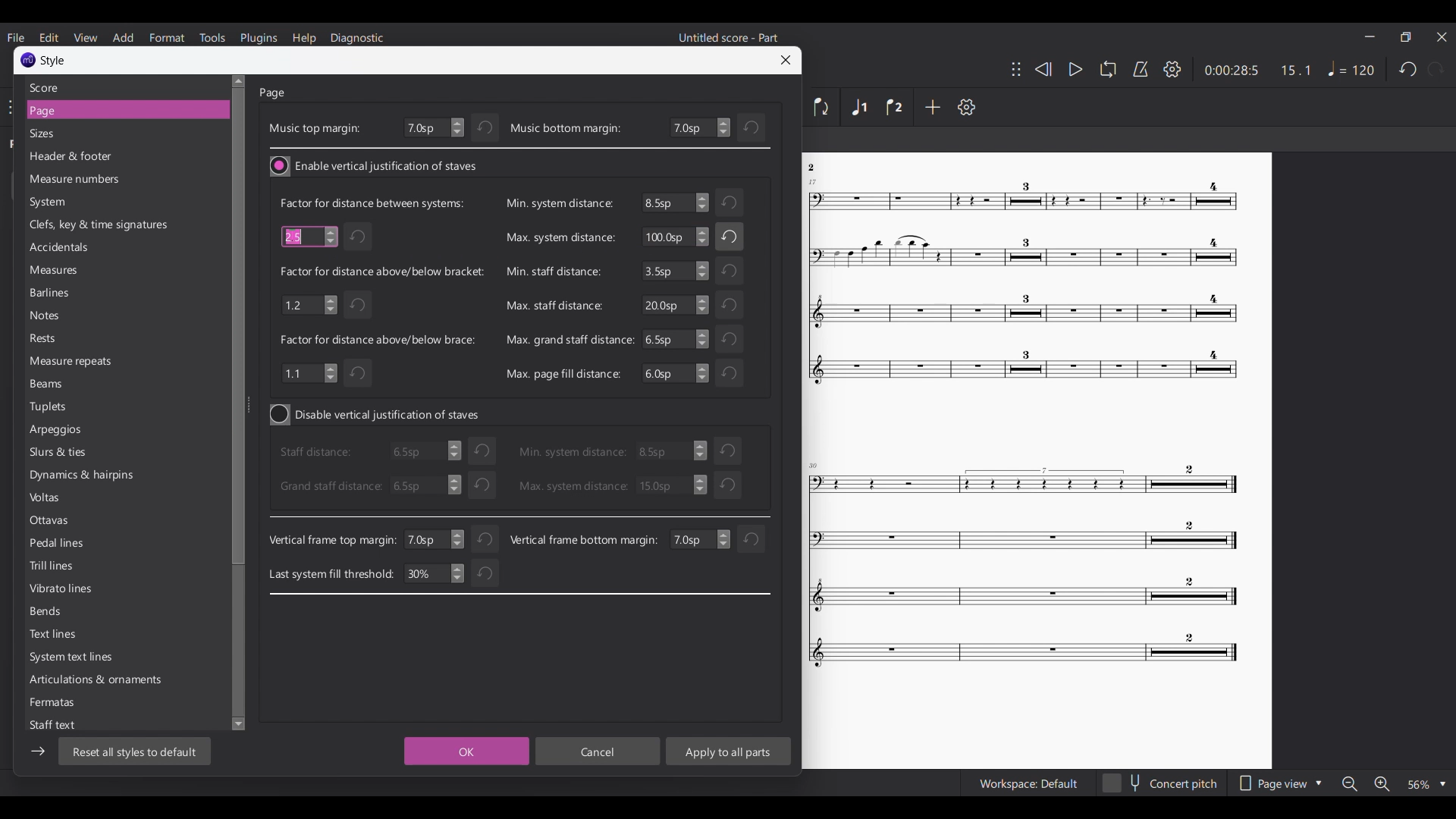  I want to click on format, so click(168, 37).